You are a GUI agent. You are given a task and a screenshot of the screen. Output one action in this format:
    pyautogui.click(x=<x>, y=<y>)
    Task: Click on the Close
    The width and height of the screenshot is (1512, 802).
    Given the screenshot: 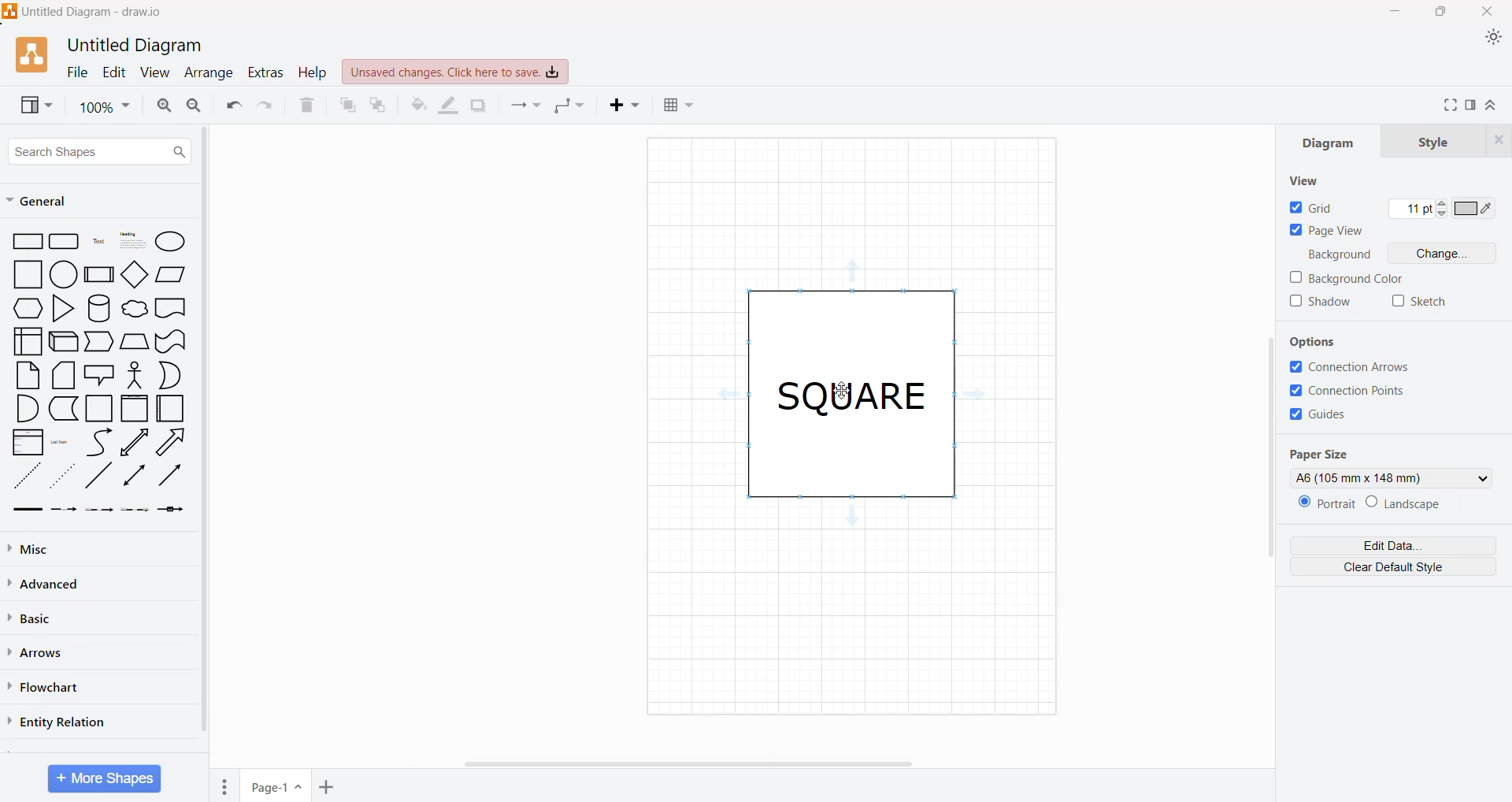 What is the action you would take?
    pyautogui.click(x=1498, y=140)
    